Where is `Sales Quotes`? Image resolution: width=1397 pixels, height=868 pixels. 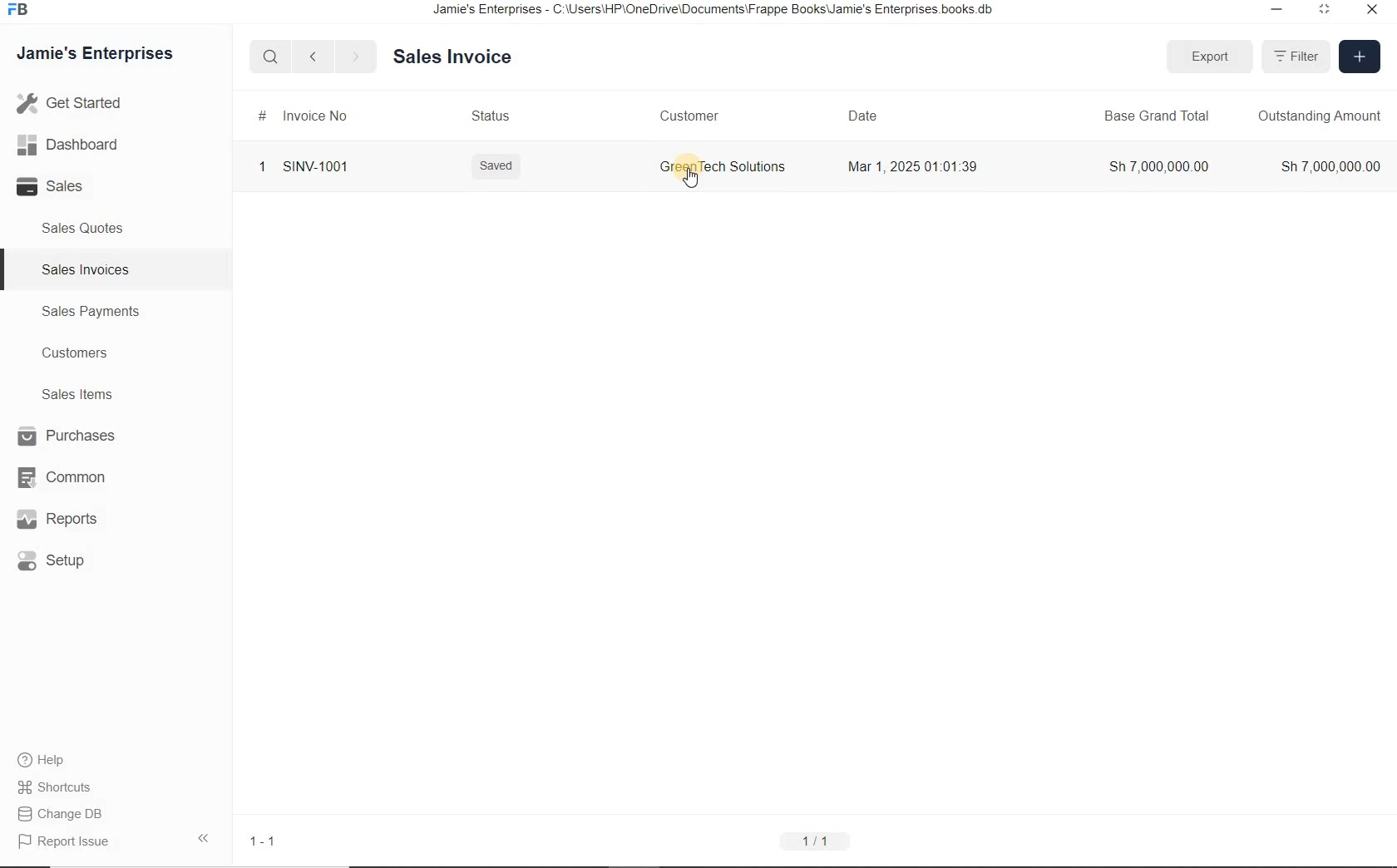 Sales Quotes is located at coordinates (84, 231).